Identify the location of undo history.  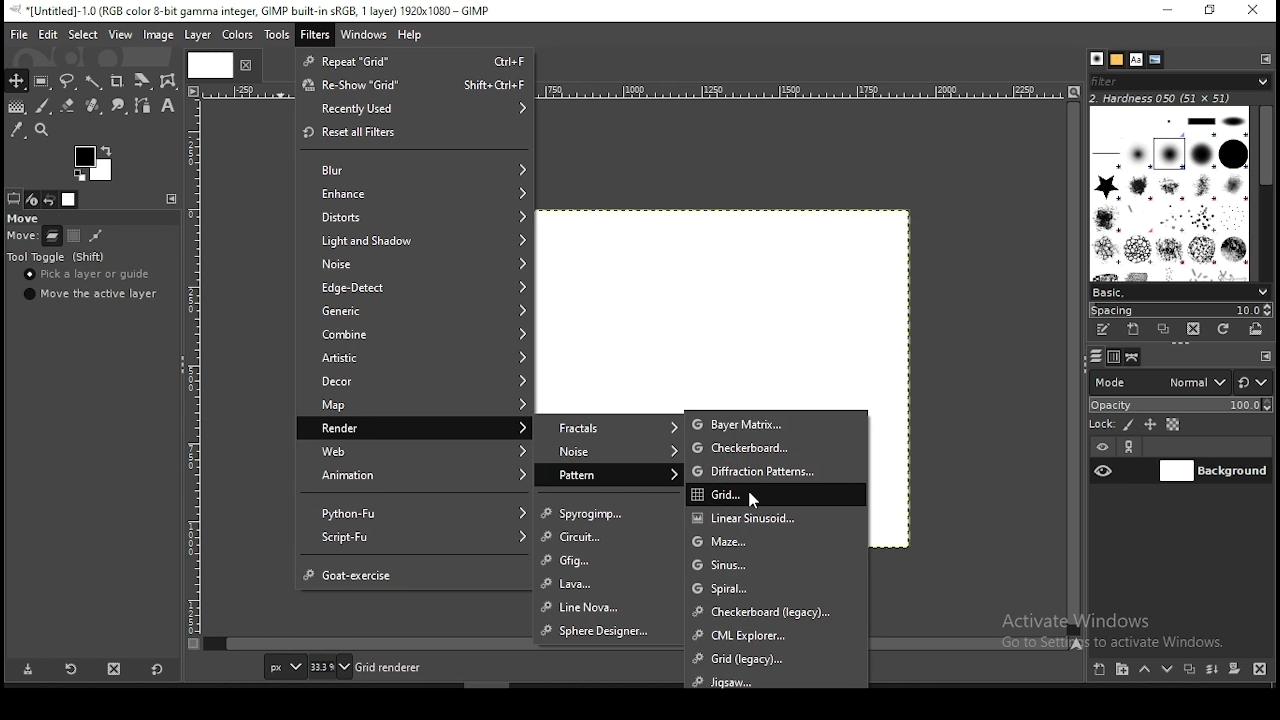
(50, 200).